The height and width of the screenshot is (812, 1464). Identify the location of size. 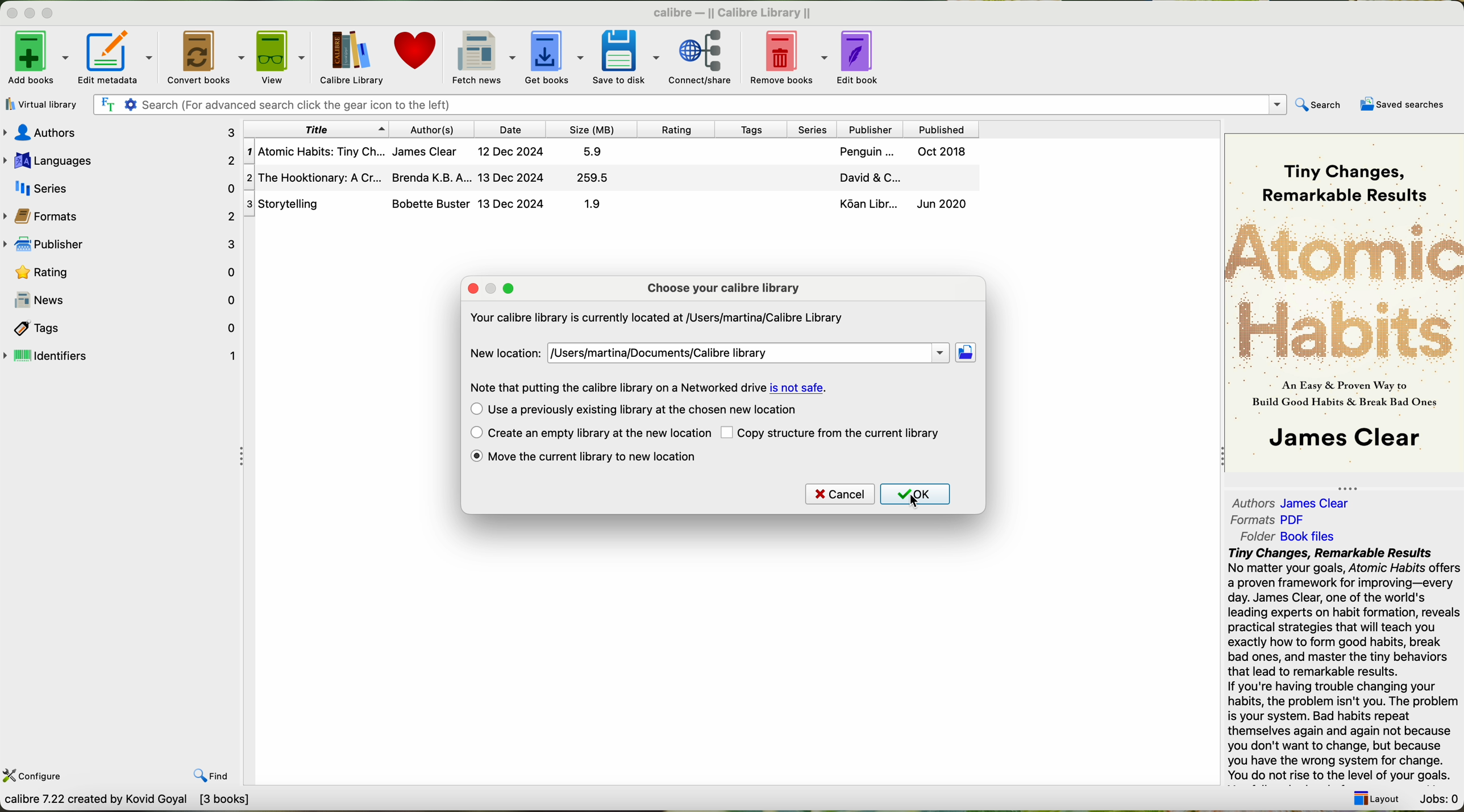
(592, 130).